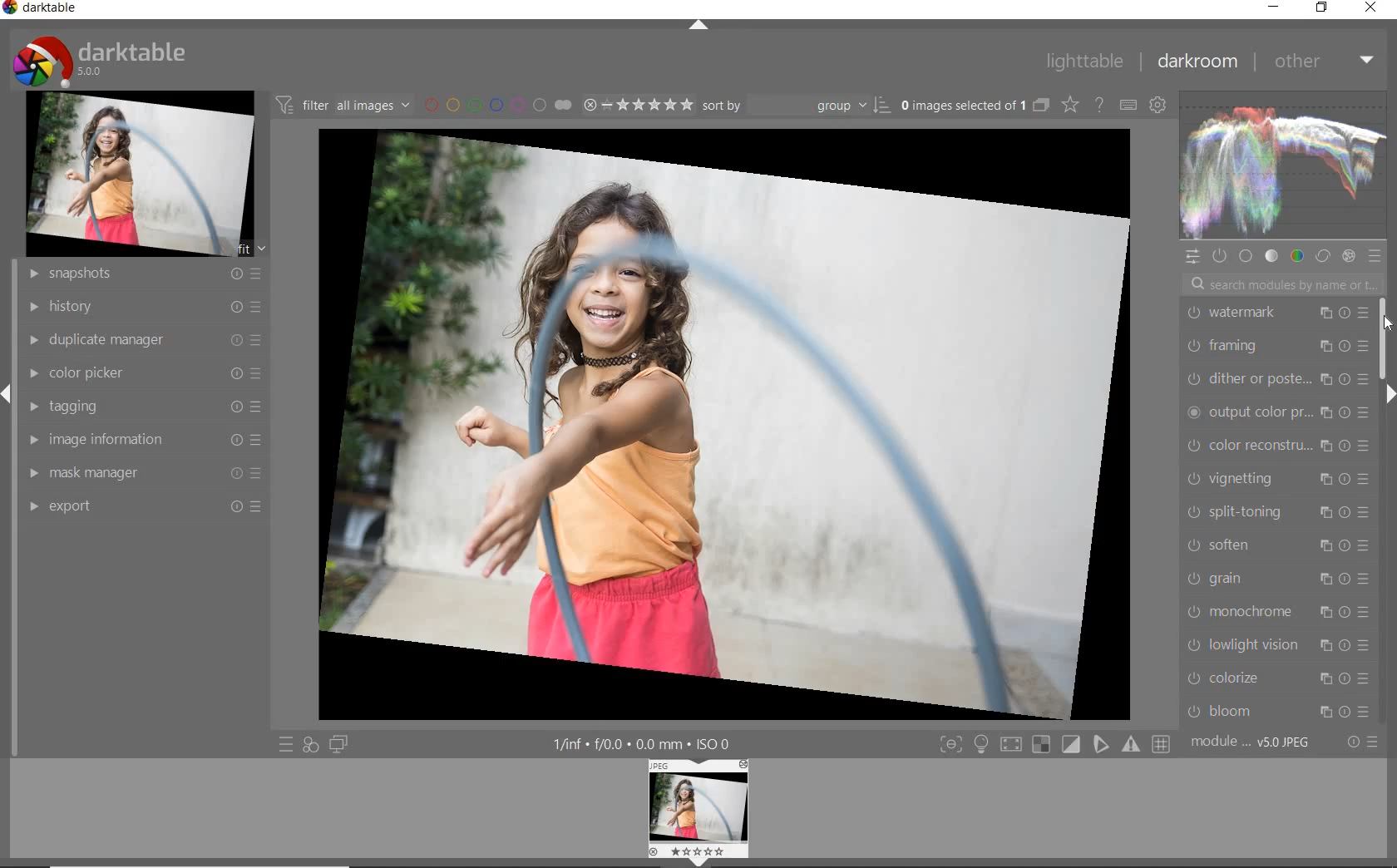 The image size is (1397, 868). I want to click on grain, so click(1278, 579).